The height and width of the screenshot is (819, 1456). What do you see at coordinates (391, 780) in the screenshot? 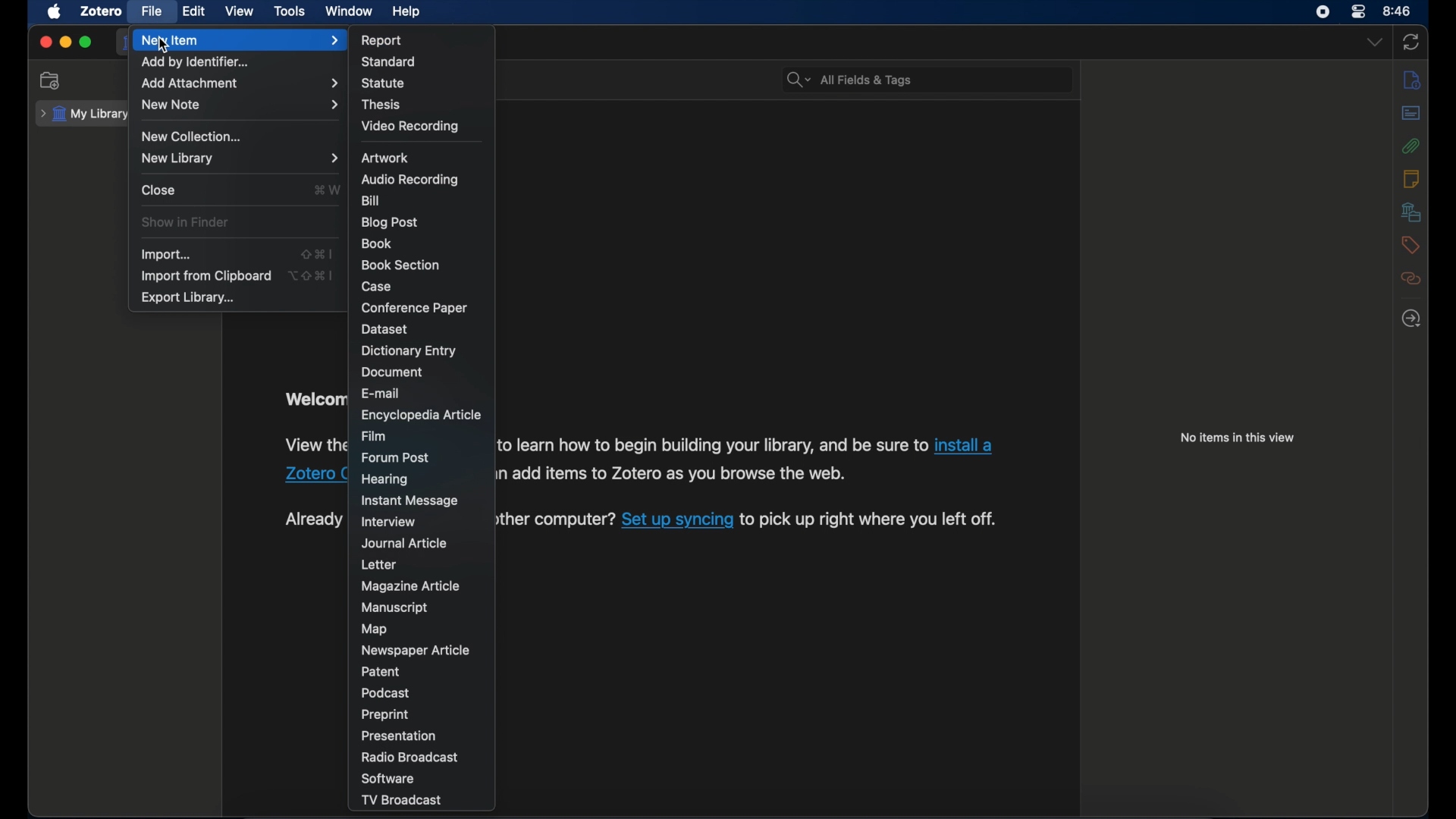
I see `software` at bounding box center [391, 780].